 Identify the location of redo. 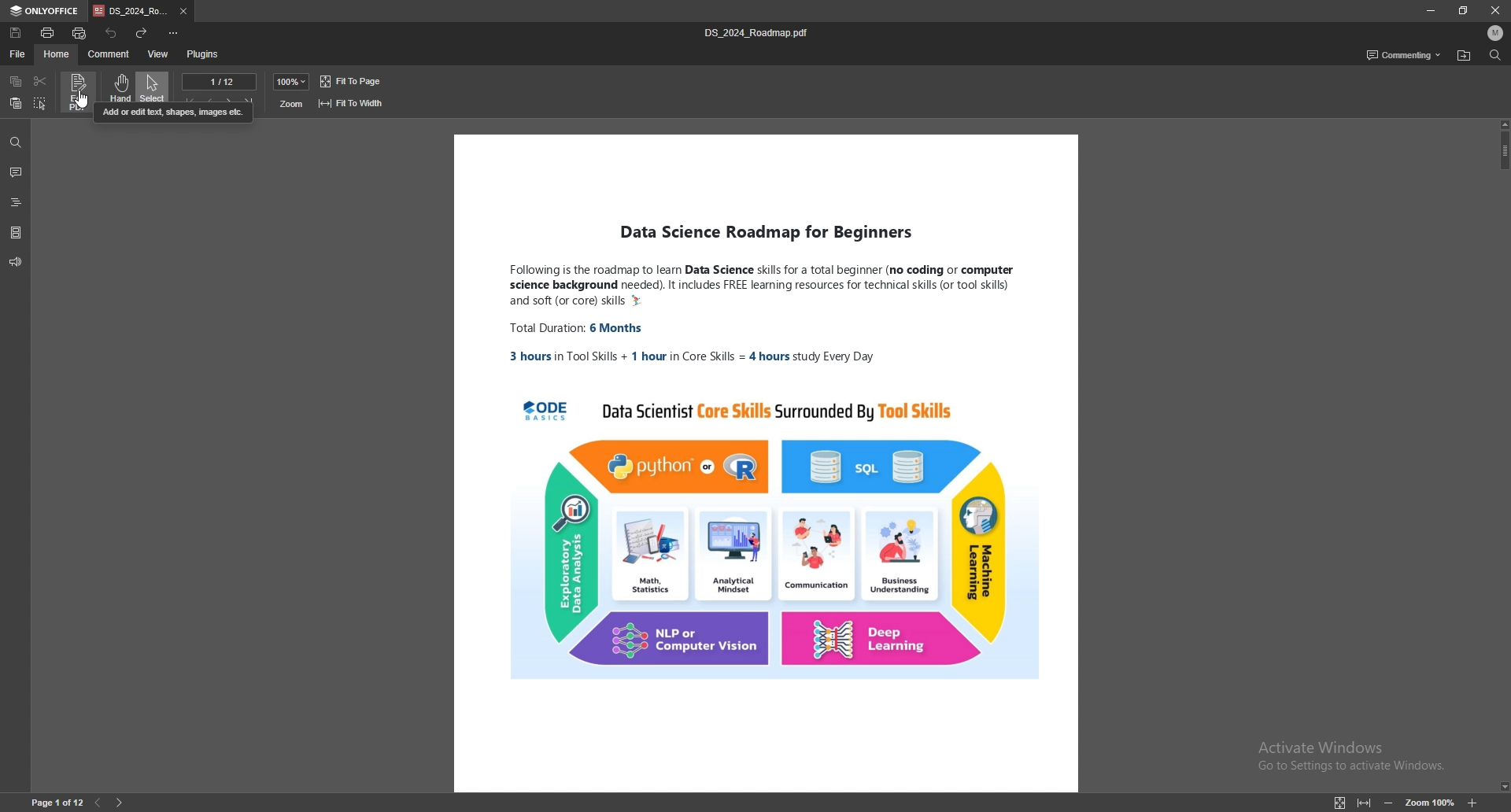
(142, 32).